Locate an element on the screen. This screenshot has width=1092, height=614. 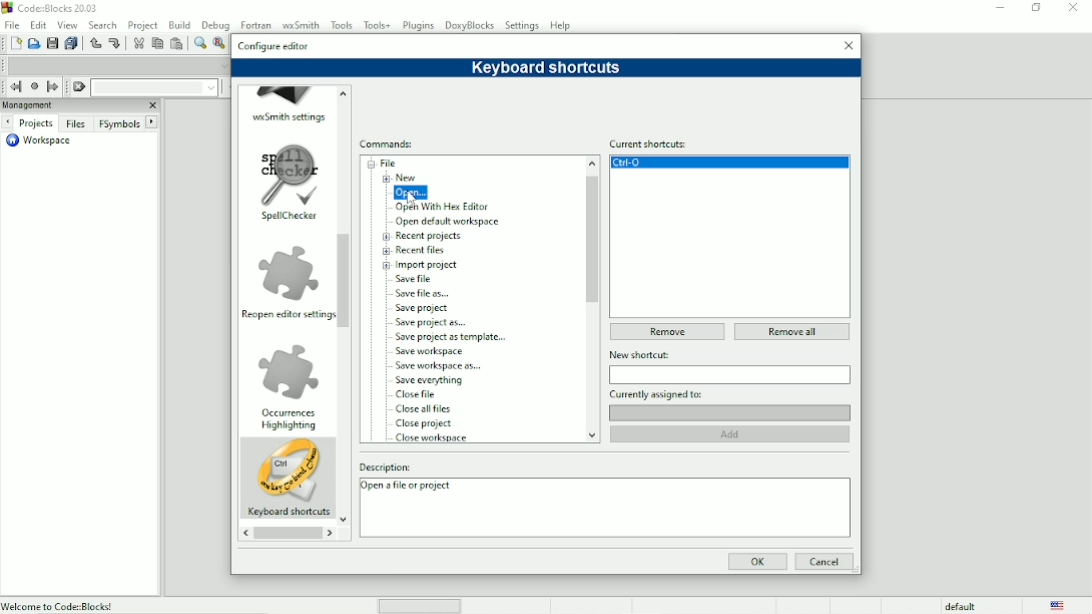
Remove is located at coordinates (665, 332).